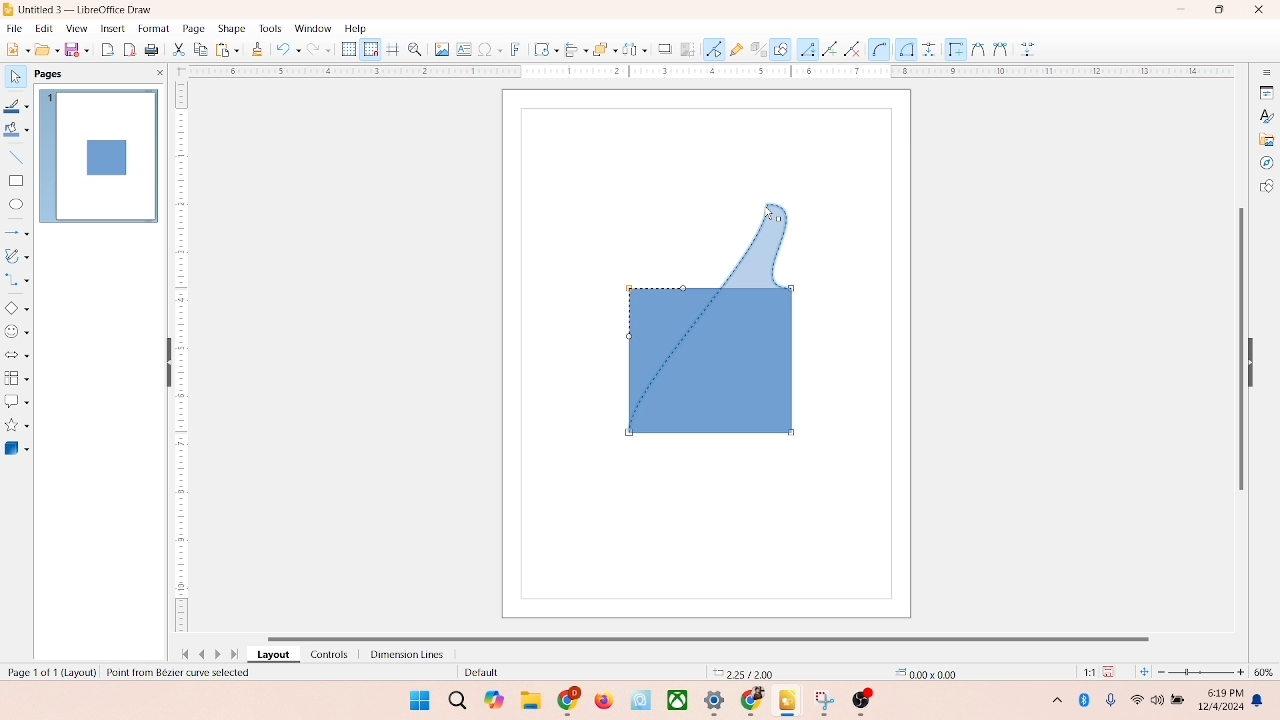  What do you see at coordinates (18, 280) in the screenshot?
I see `connector` at bounding box center [18, 280].